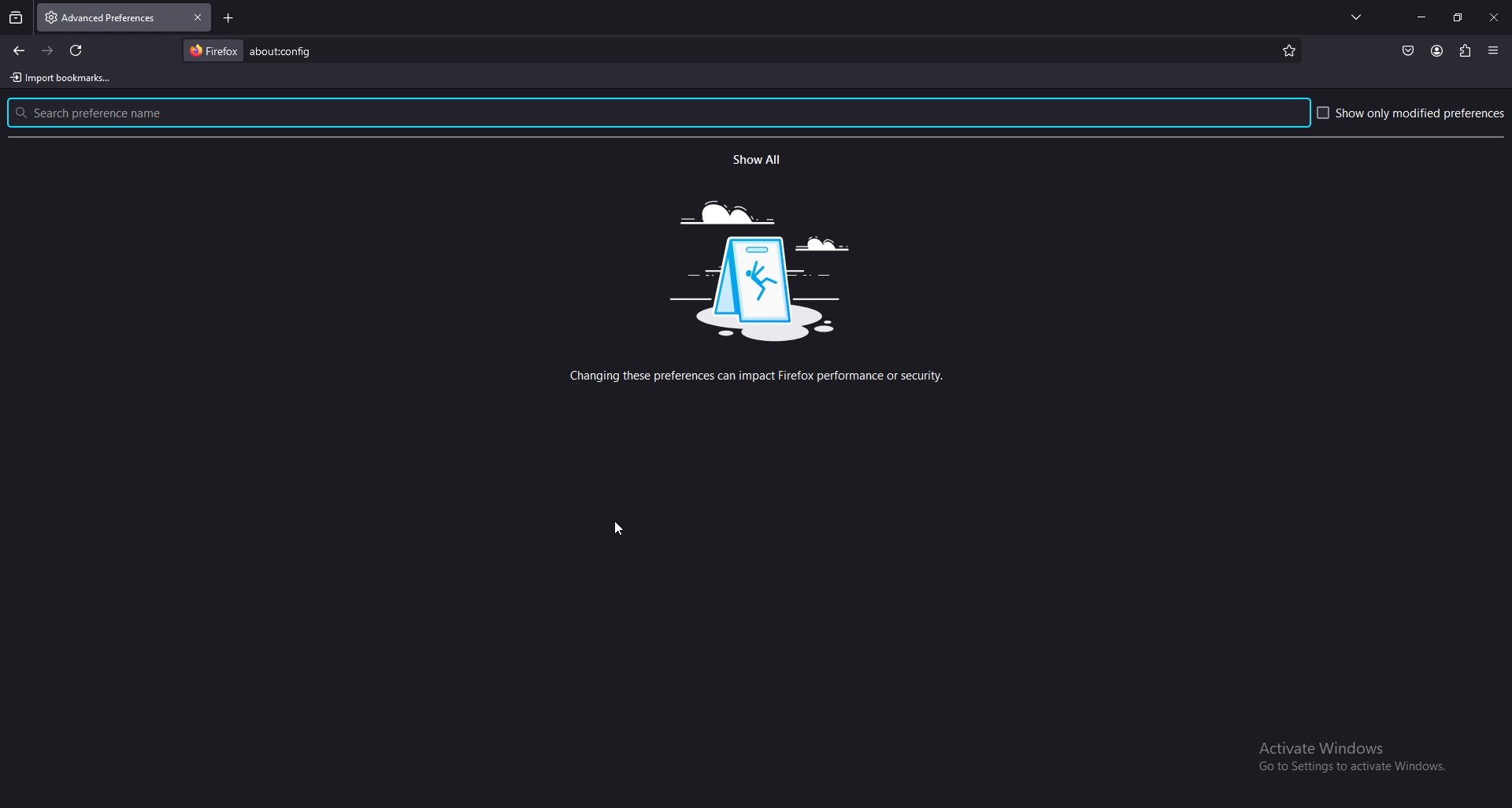 Image resolution: width=1512 pixels, height=808 pixels. I want to click on show only modified preference, so click(1412, 114).